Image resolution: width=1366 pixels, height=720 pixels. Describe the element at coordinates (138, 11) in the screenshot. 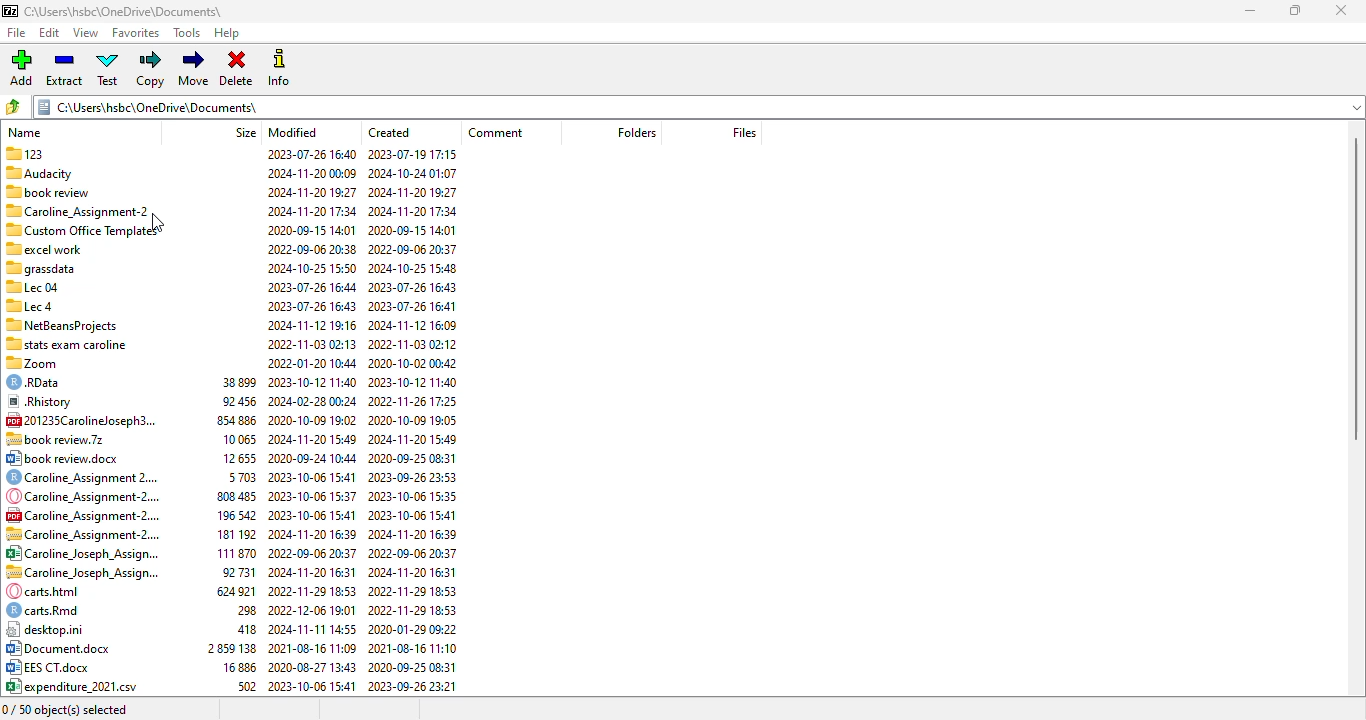

I see `c\Users\hsbc\OneDrive\Documents\` at that location.